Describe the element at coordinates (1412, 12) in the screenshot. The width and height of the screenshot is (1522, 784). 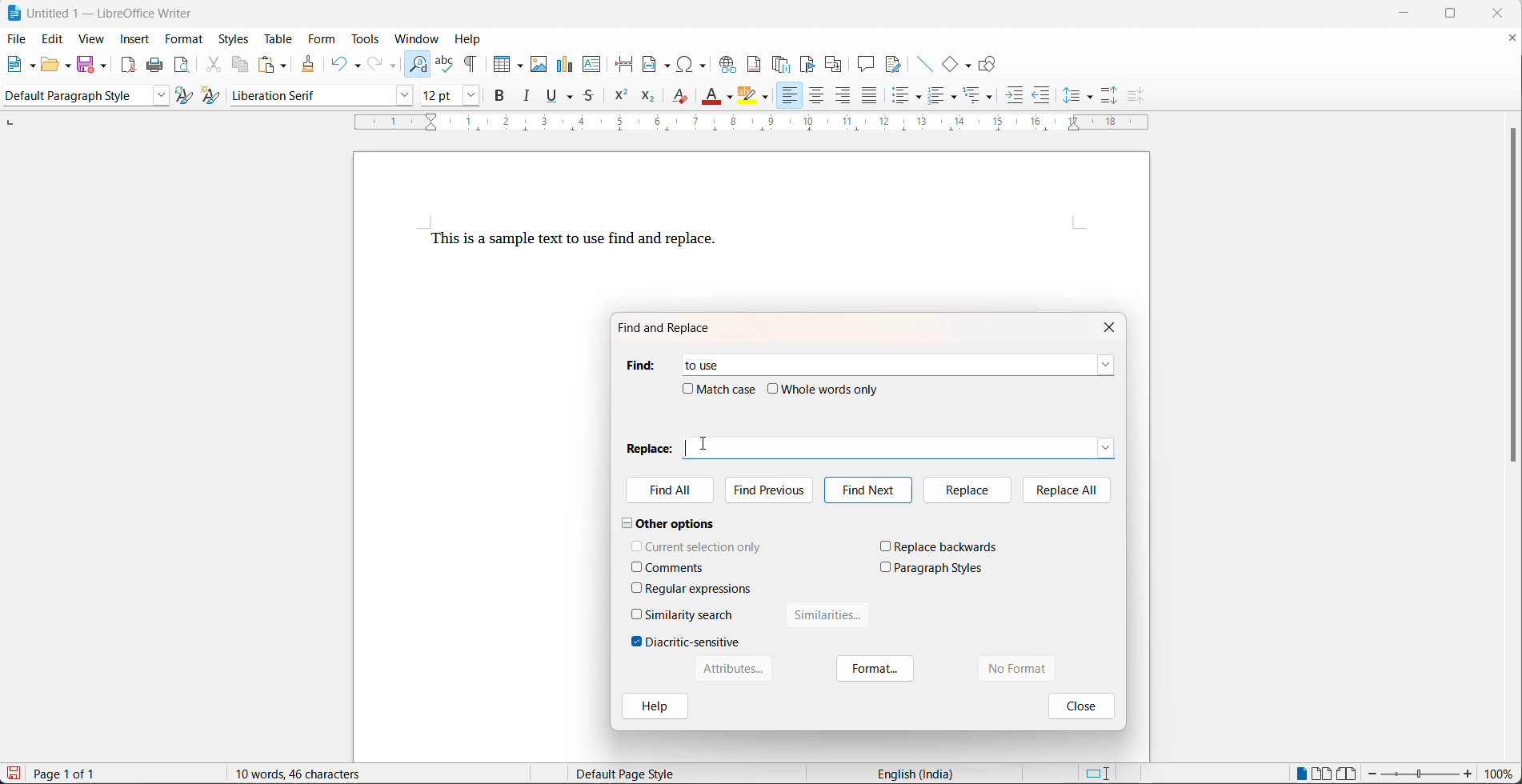
I see `minimize` at that location.